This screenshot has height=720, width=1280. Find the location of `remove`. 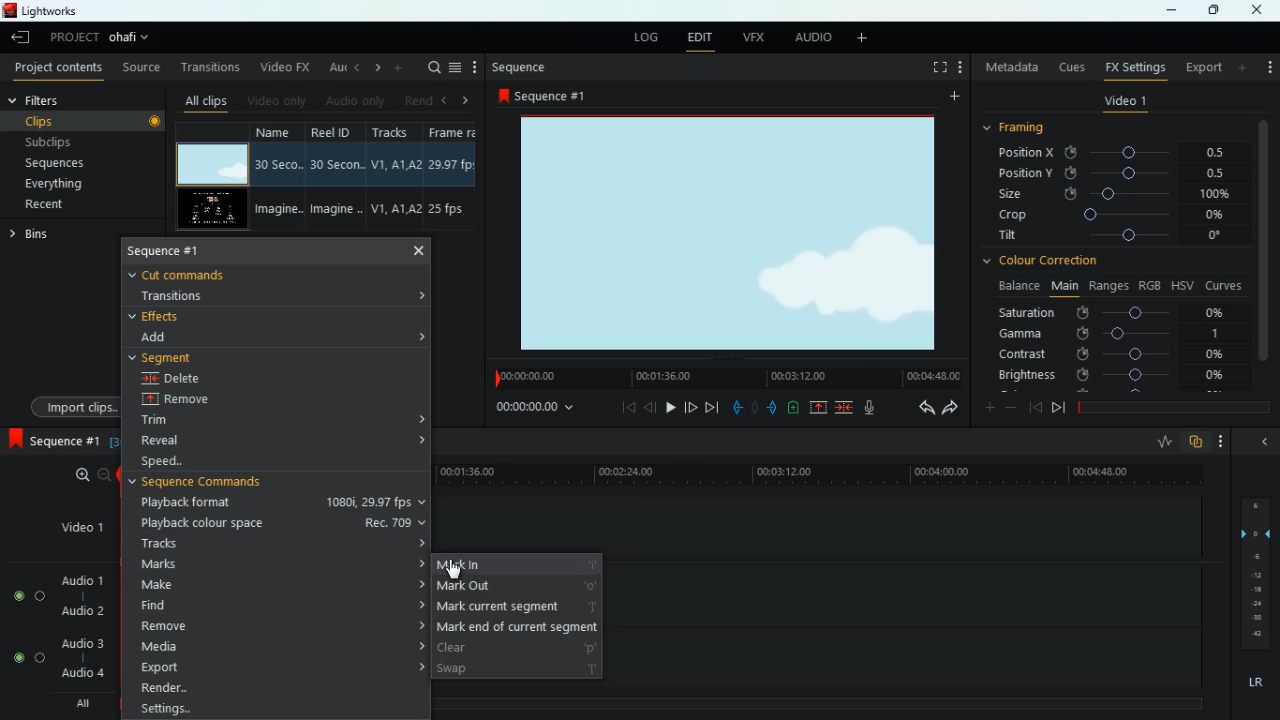

remove is located at coordinates (282, 627).